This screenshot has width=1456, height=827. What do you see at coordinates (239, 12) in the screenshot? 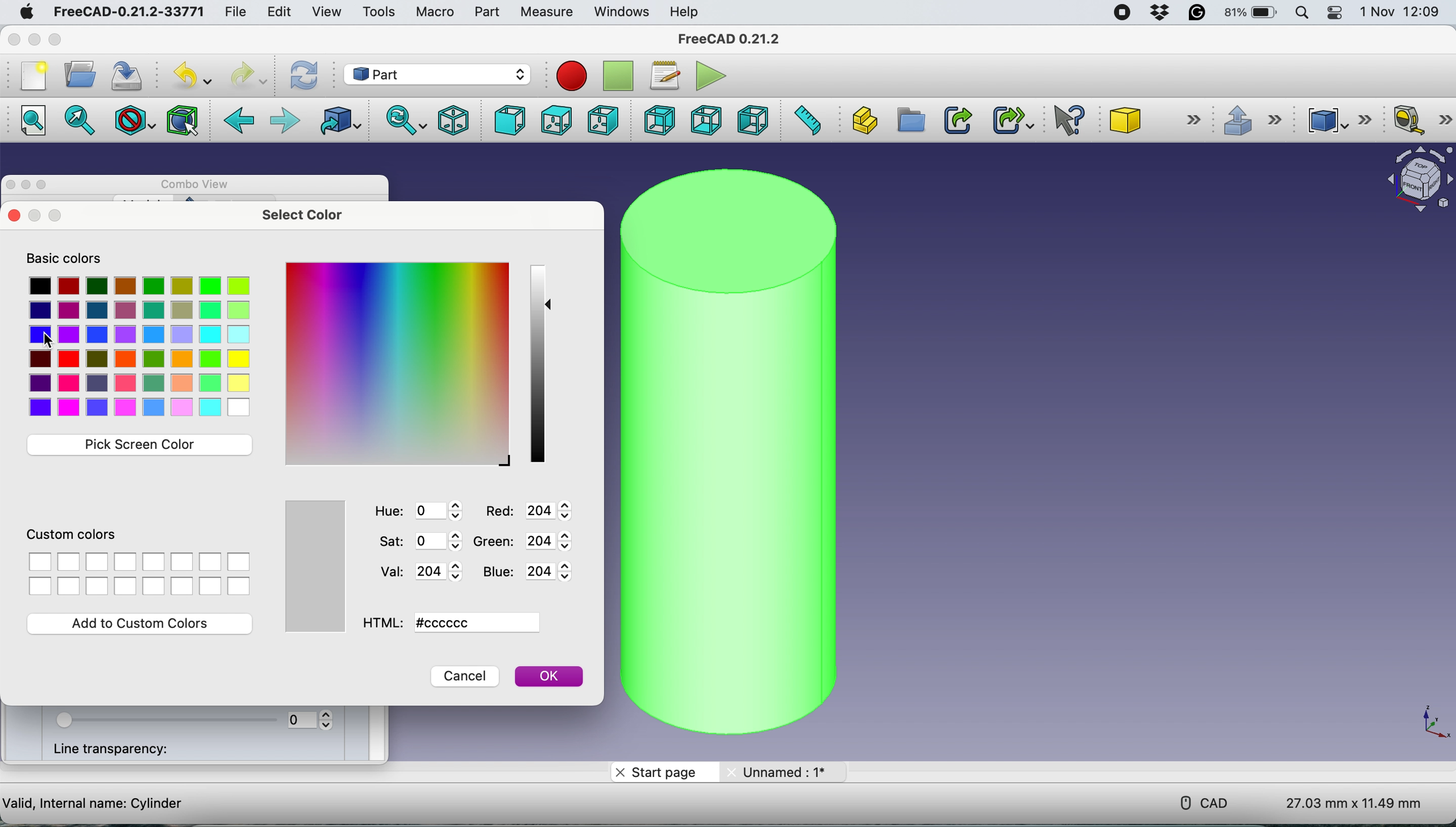
I see `file` at bounding box center [239, 12].